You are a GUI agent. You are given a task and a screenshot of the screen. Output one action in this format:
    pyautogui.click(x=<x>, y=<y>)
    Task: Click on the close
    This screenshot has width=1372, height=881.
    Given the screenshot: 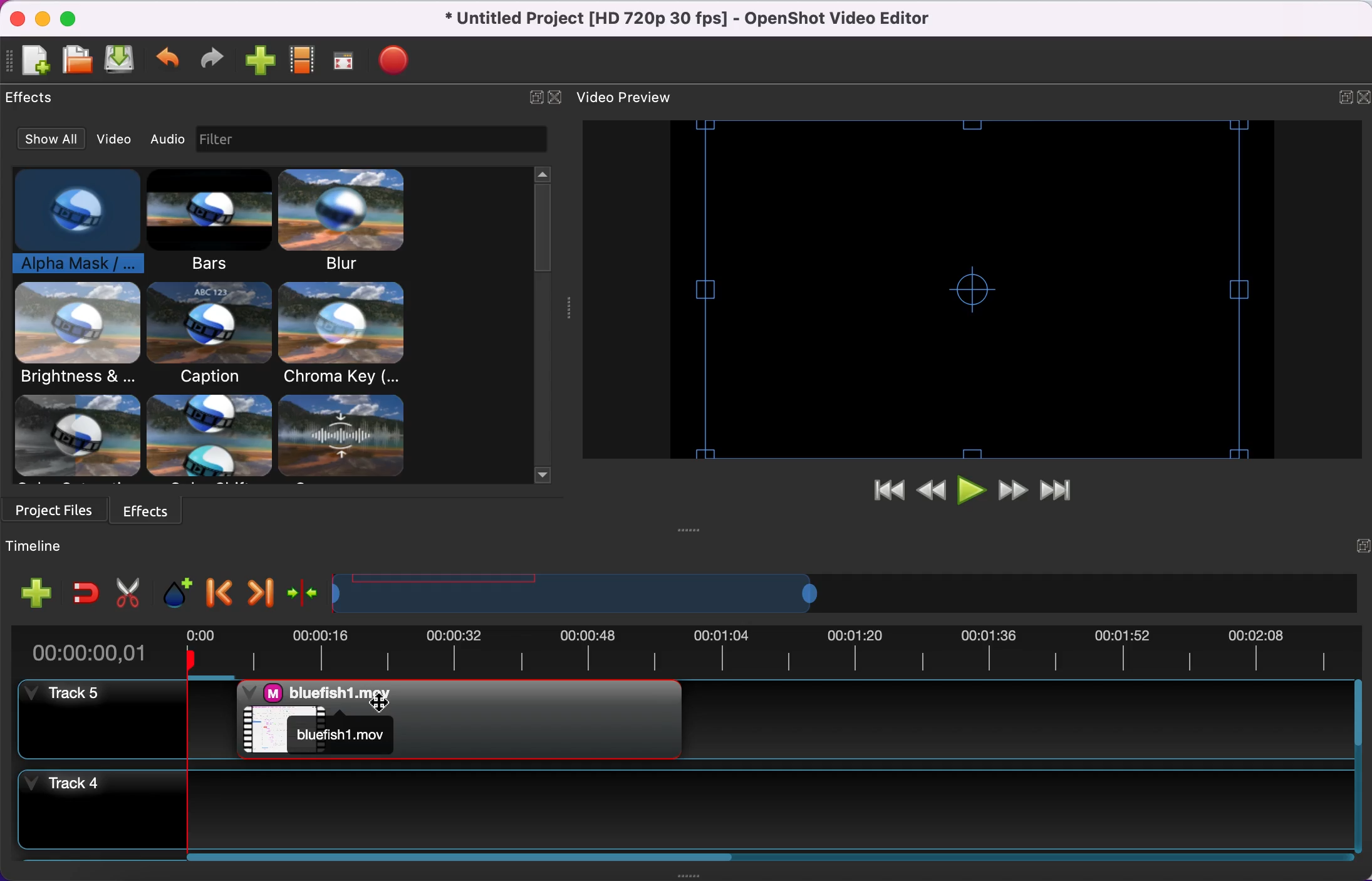 What is the action you would take?
    pyautogui.click(x=1363, y=102)
    